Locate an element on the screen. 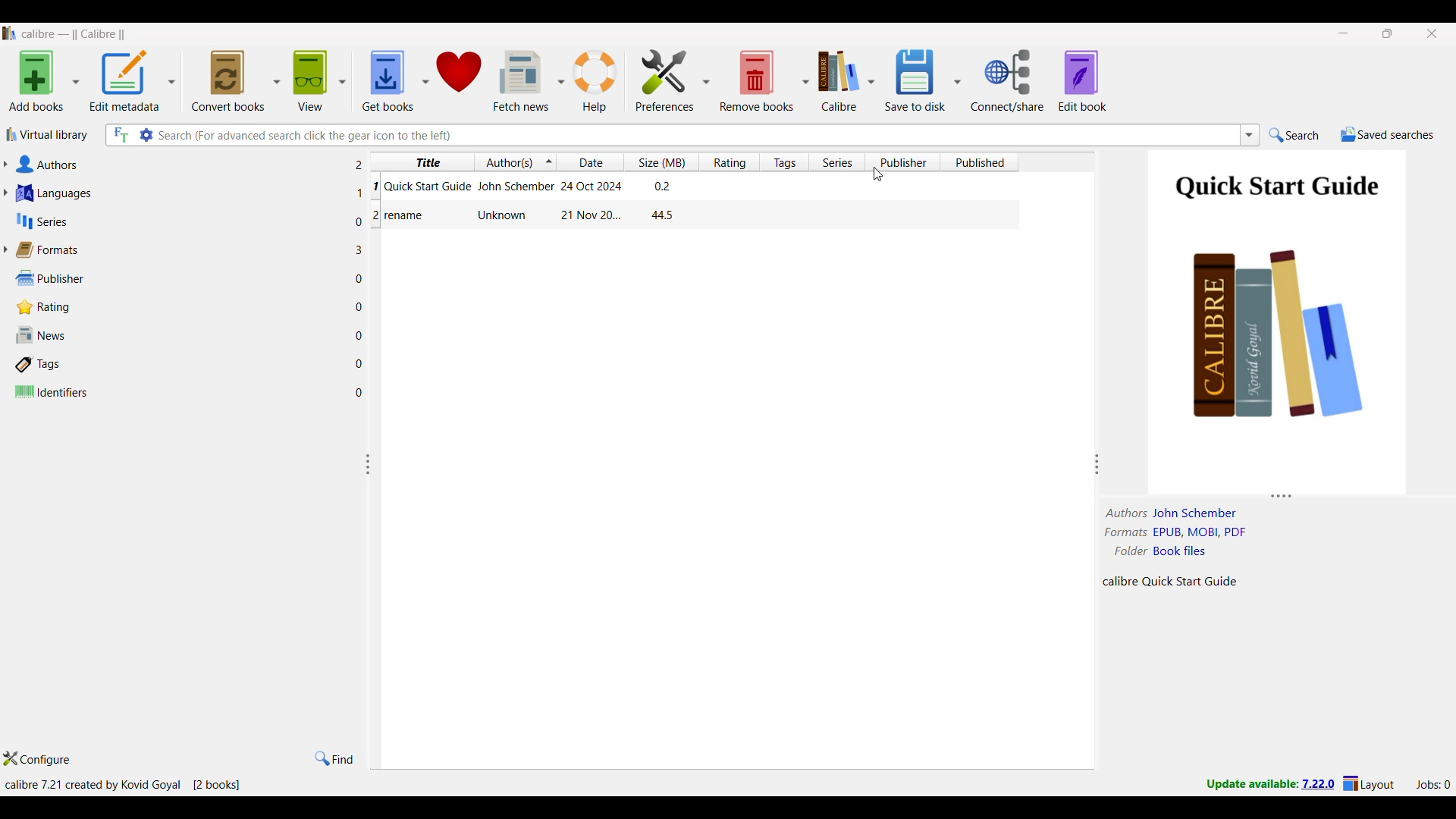 This screenshot has height=819, width=1456. Authors column, current sorting is located at coordinates (514, 162).